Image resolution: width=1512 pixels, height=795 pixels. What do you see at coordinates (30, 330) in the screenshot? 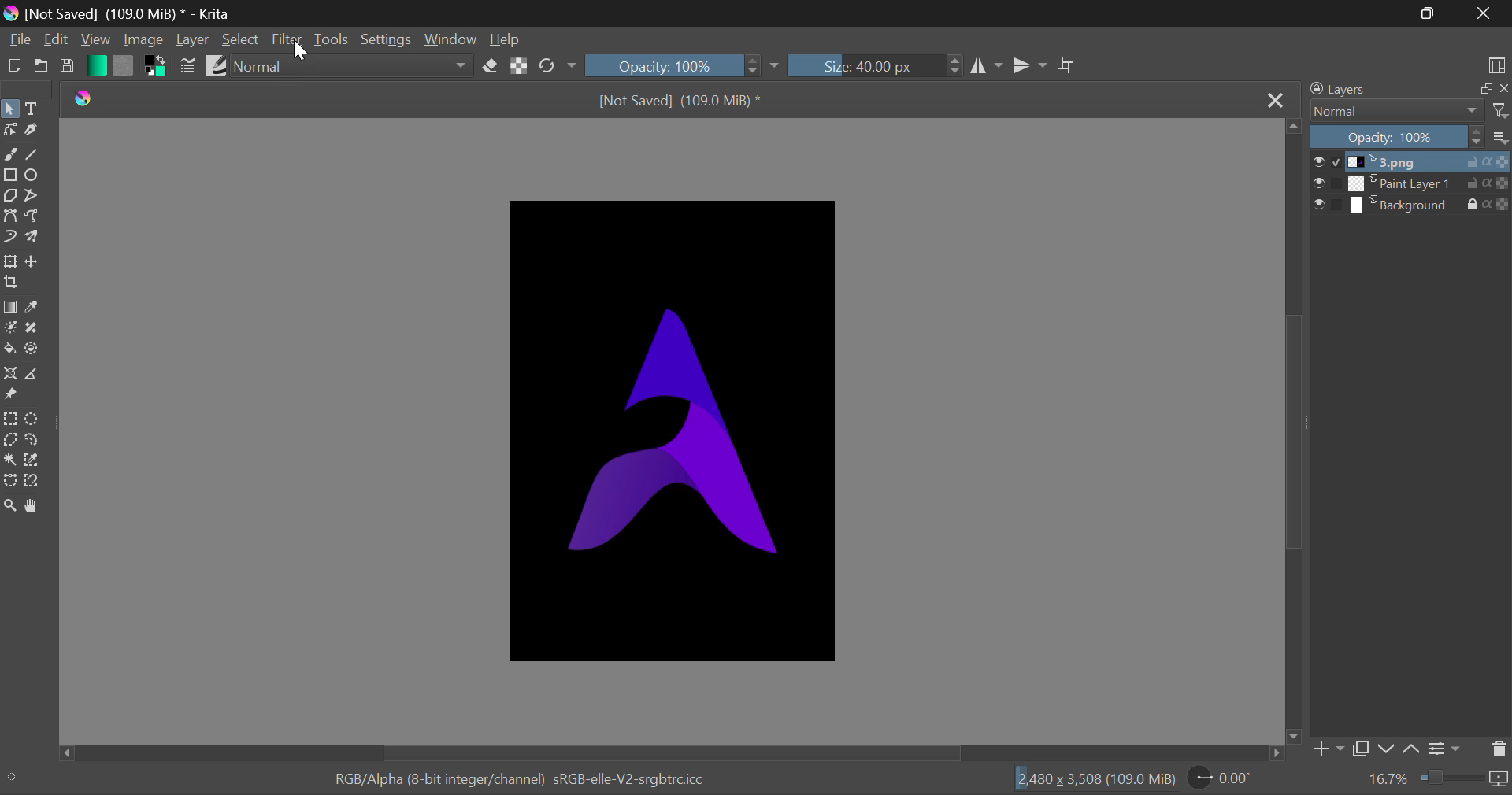
I see `Smart Patch Tool` at bounding box center [30, 330].